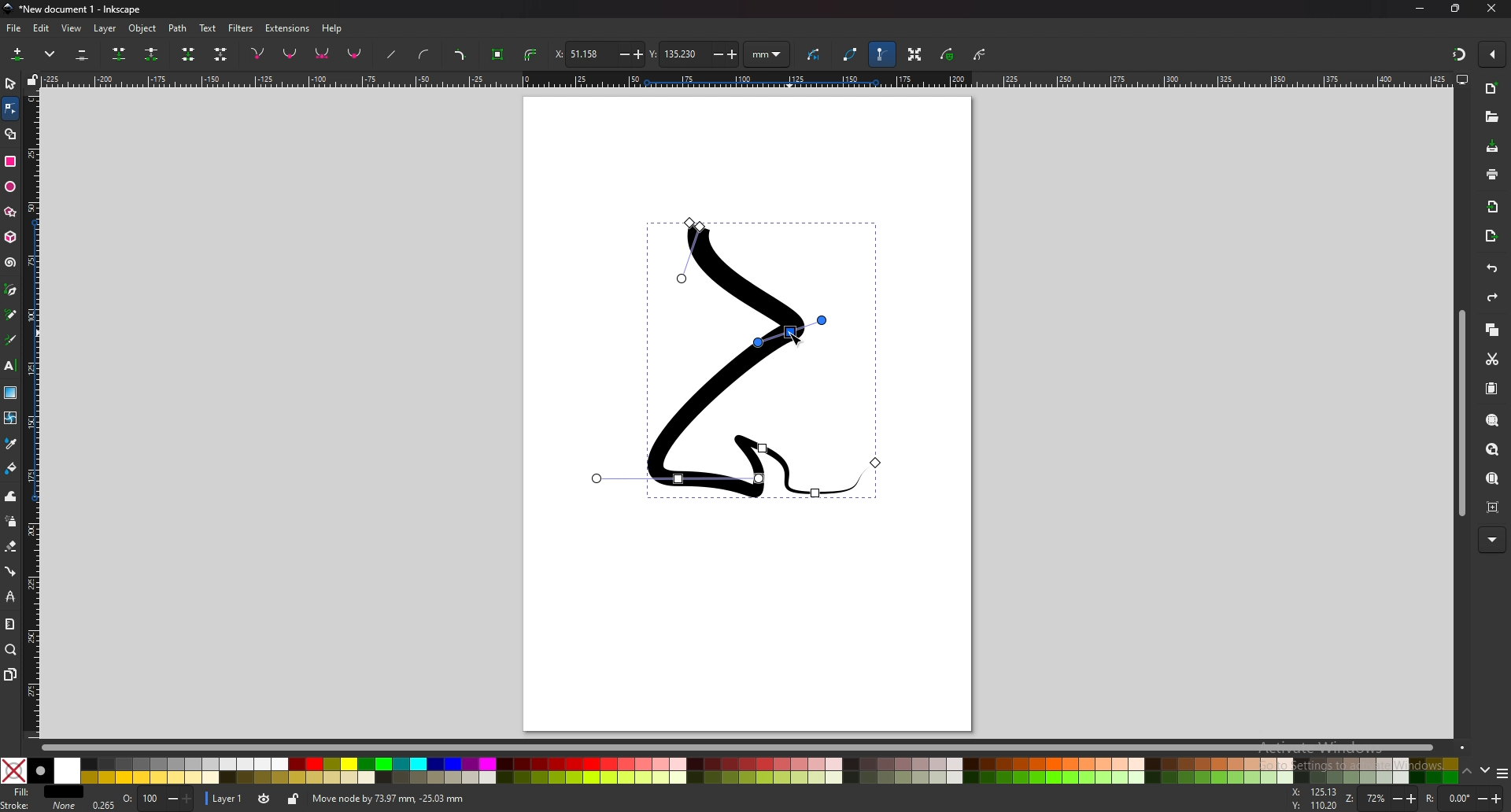 The image size is (1511, 812). I want to click on path, so click(179, 28).